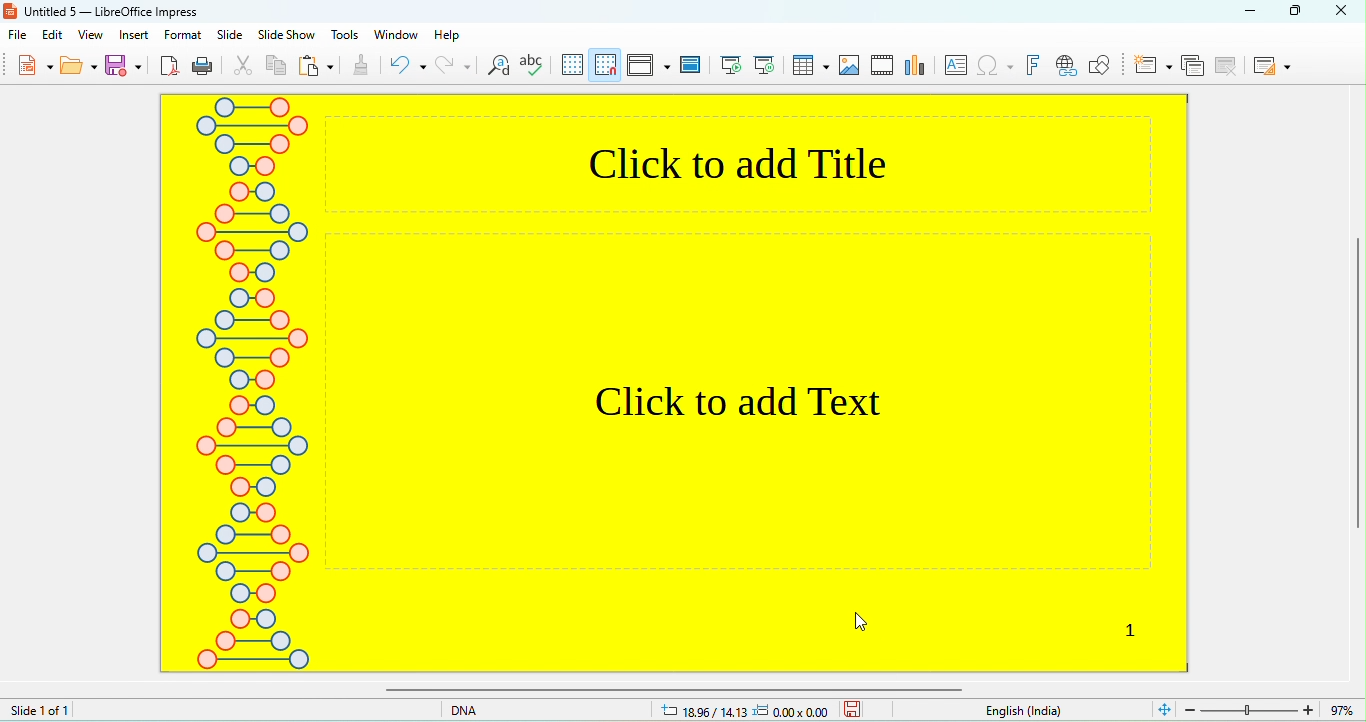 This screenshot has width=1366, height=722. I want to click on close, so click(1347, 10).